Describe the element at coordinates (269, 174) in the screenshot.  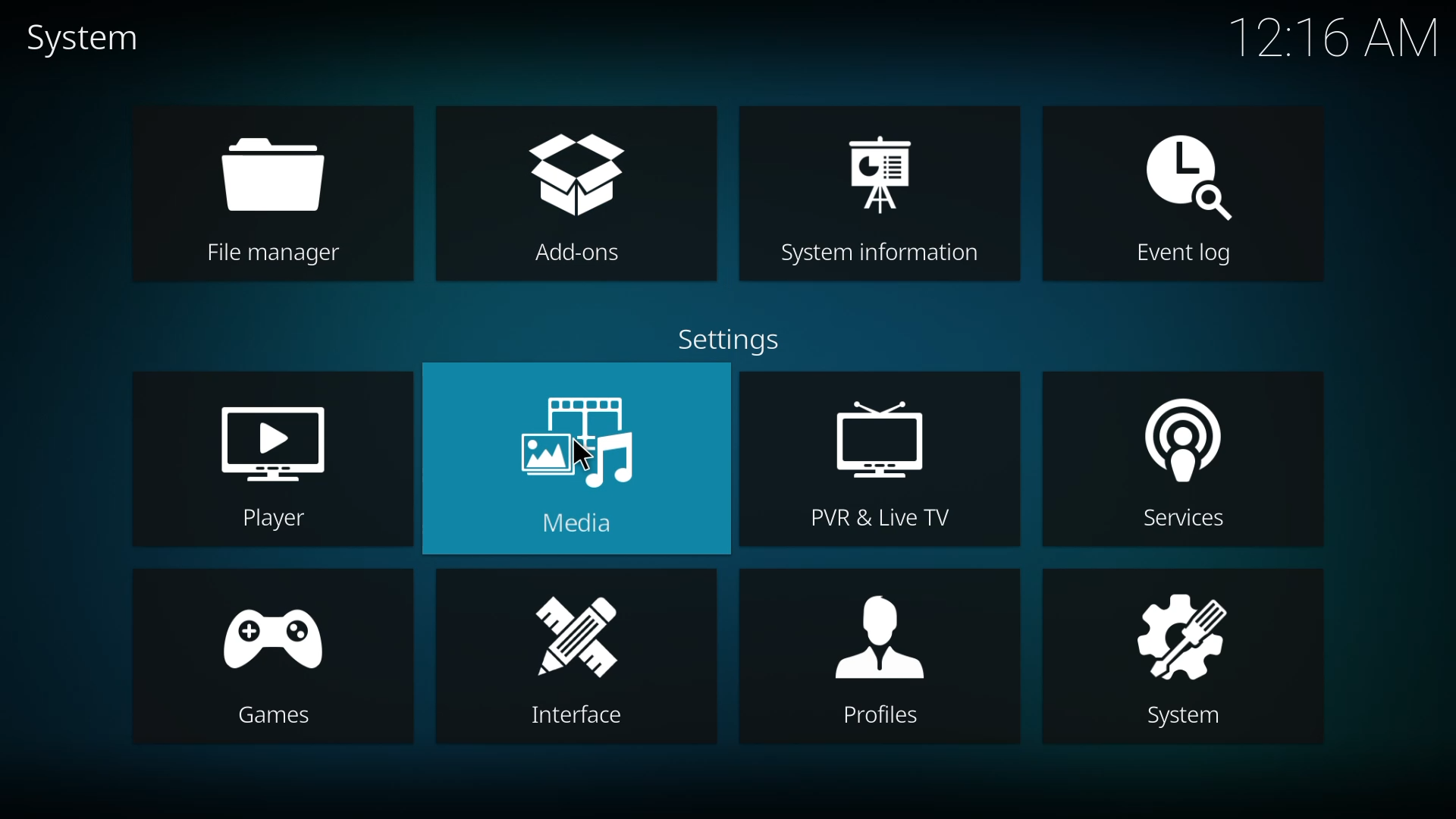
I see `file manager` at that location.